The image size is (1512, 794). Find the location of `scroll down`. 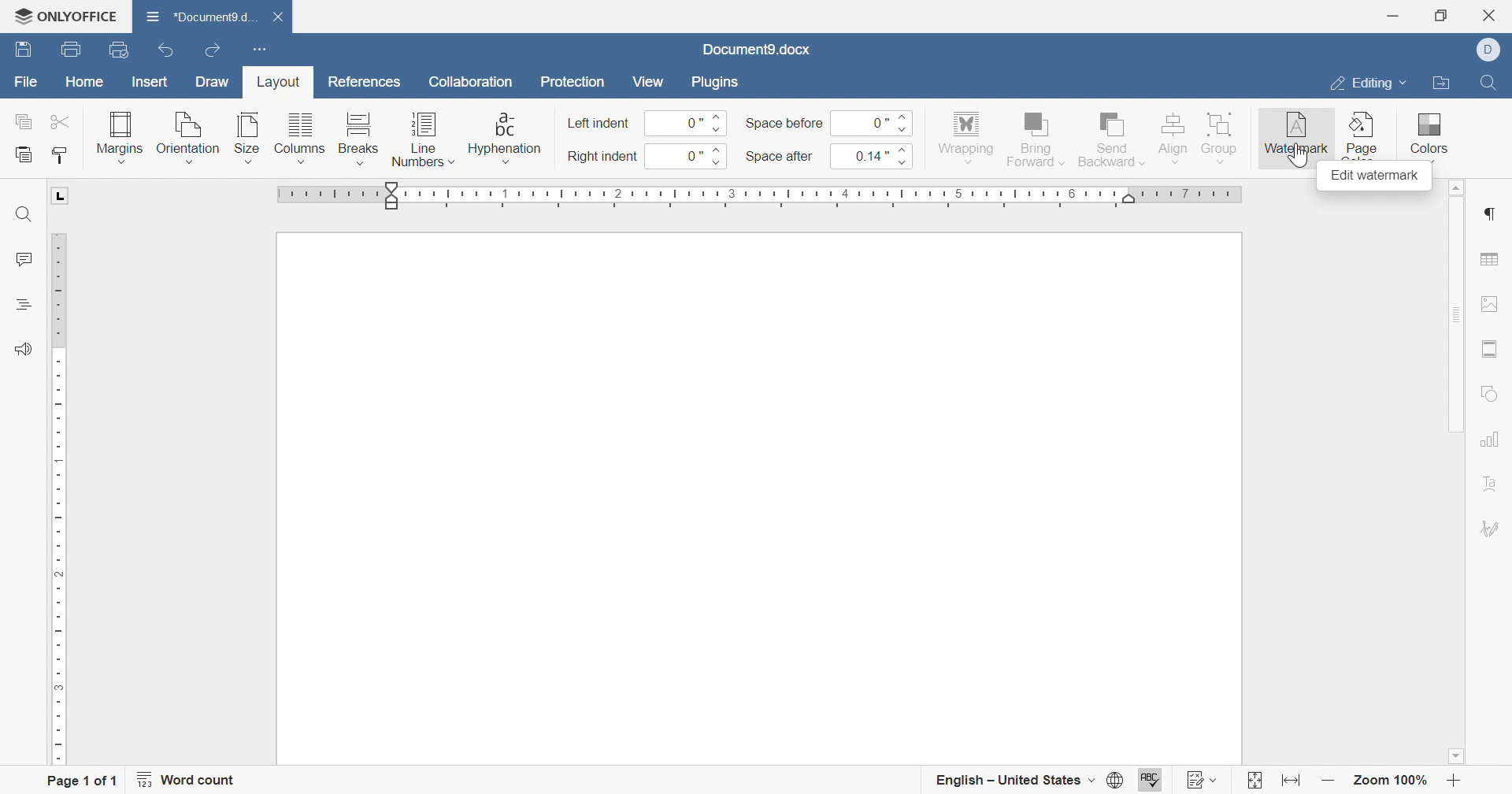

scroll down is located at coordinates (1455, 756).